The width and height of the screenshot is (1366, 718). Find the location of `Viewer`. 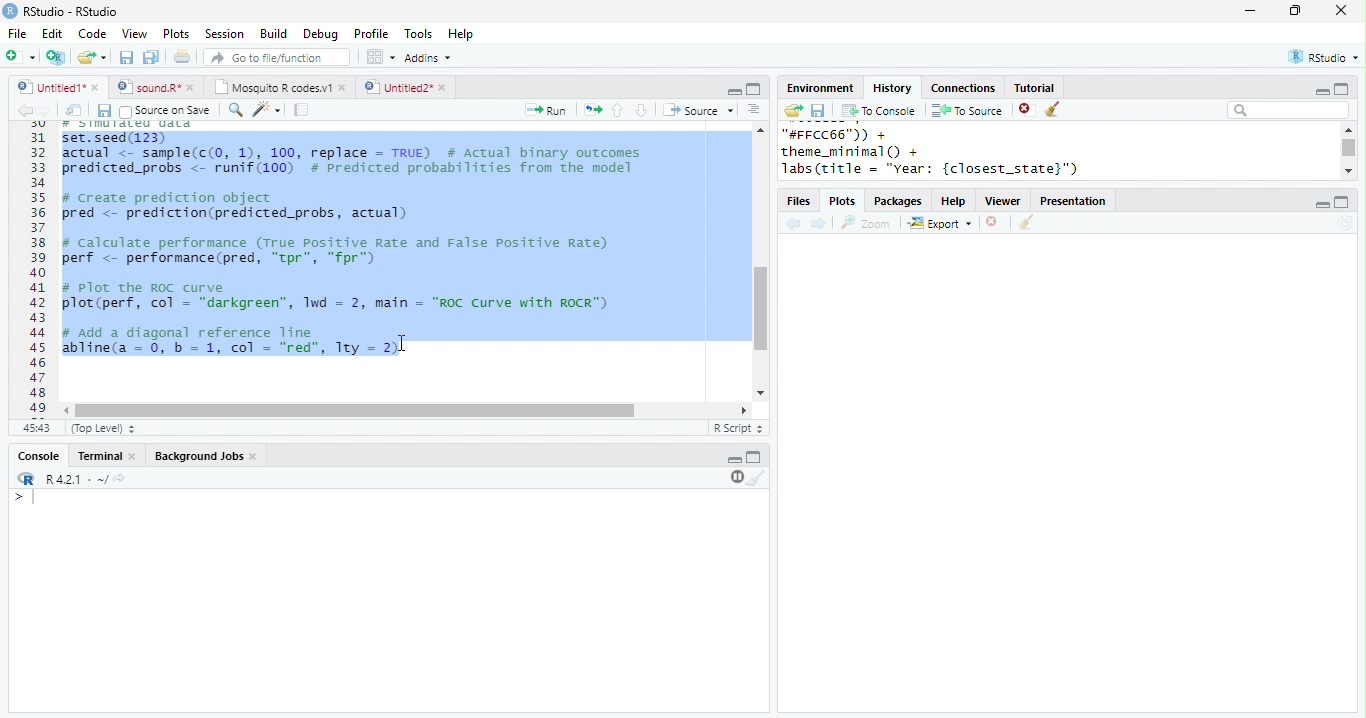

Viewer is located at coordinates (1004, 202).